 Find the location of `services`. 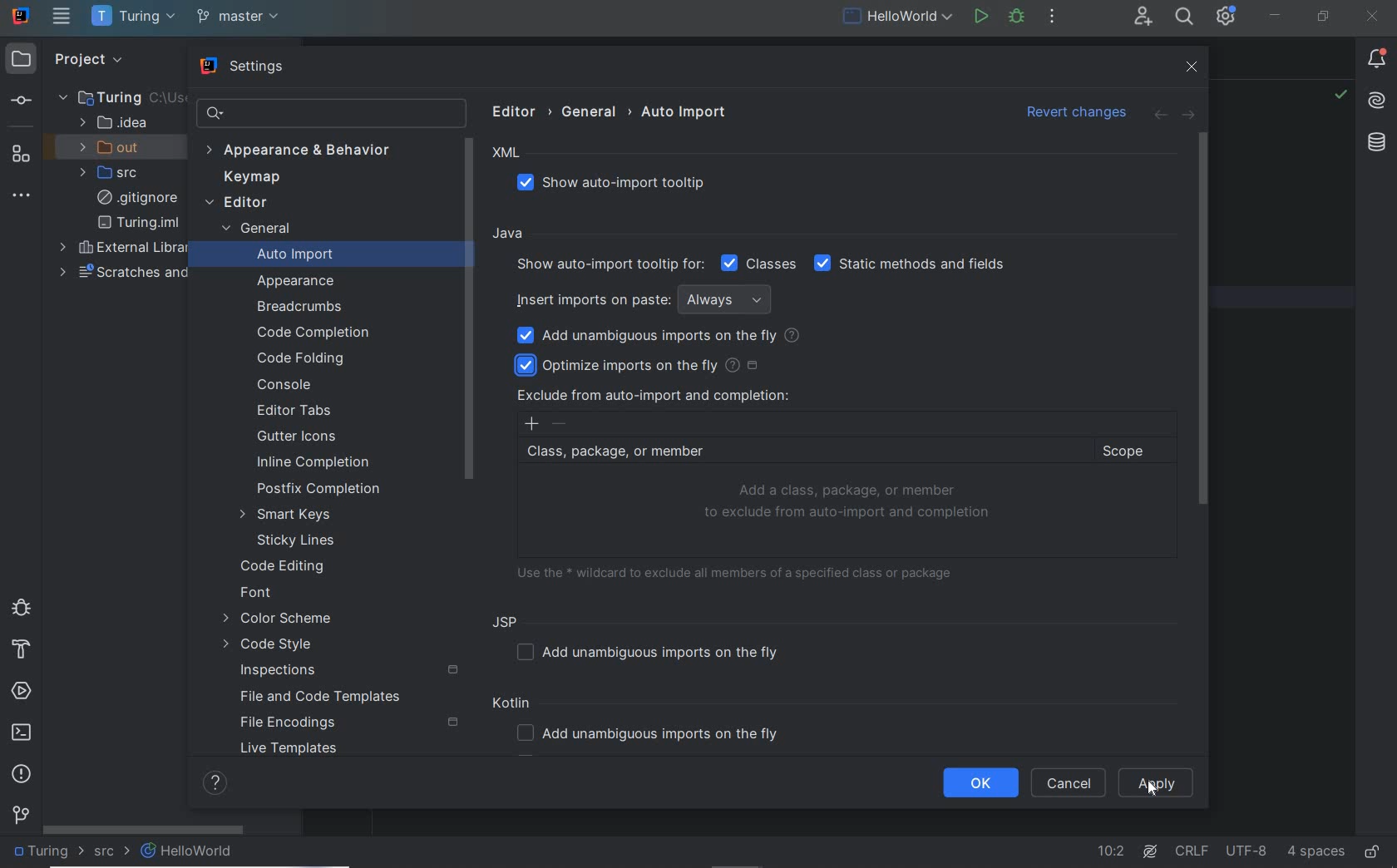

services is located at coordinates (23, 692).